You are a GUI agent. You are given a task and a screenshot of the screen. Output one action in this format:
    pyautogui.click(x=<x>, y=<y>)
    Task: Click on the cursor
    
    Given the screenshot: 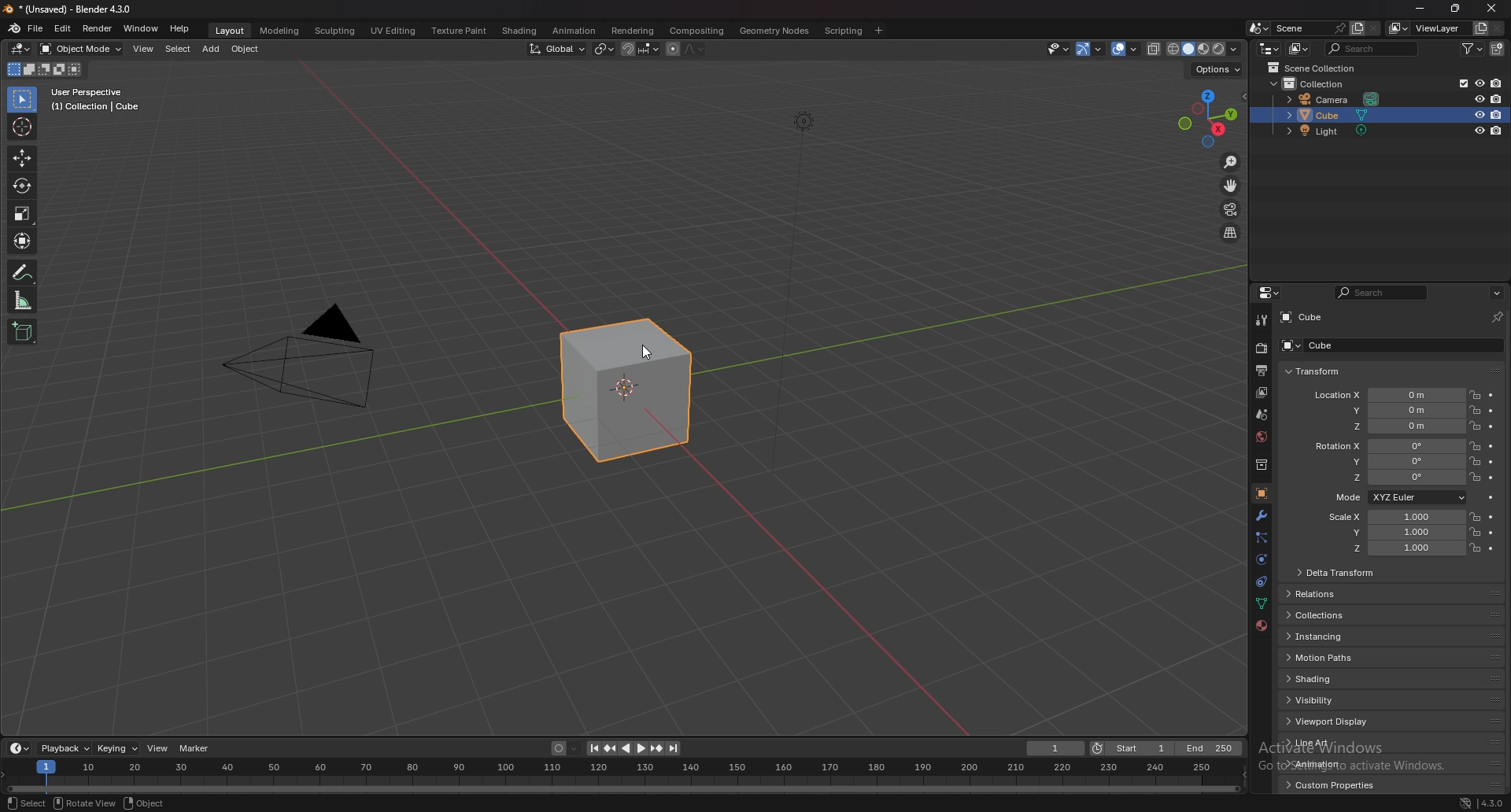 What is the action you would take?
    pyautogui.click(x=658, y=354)
    